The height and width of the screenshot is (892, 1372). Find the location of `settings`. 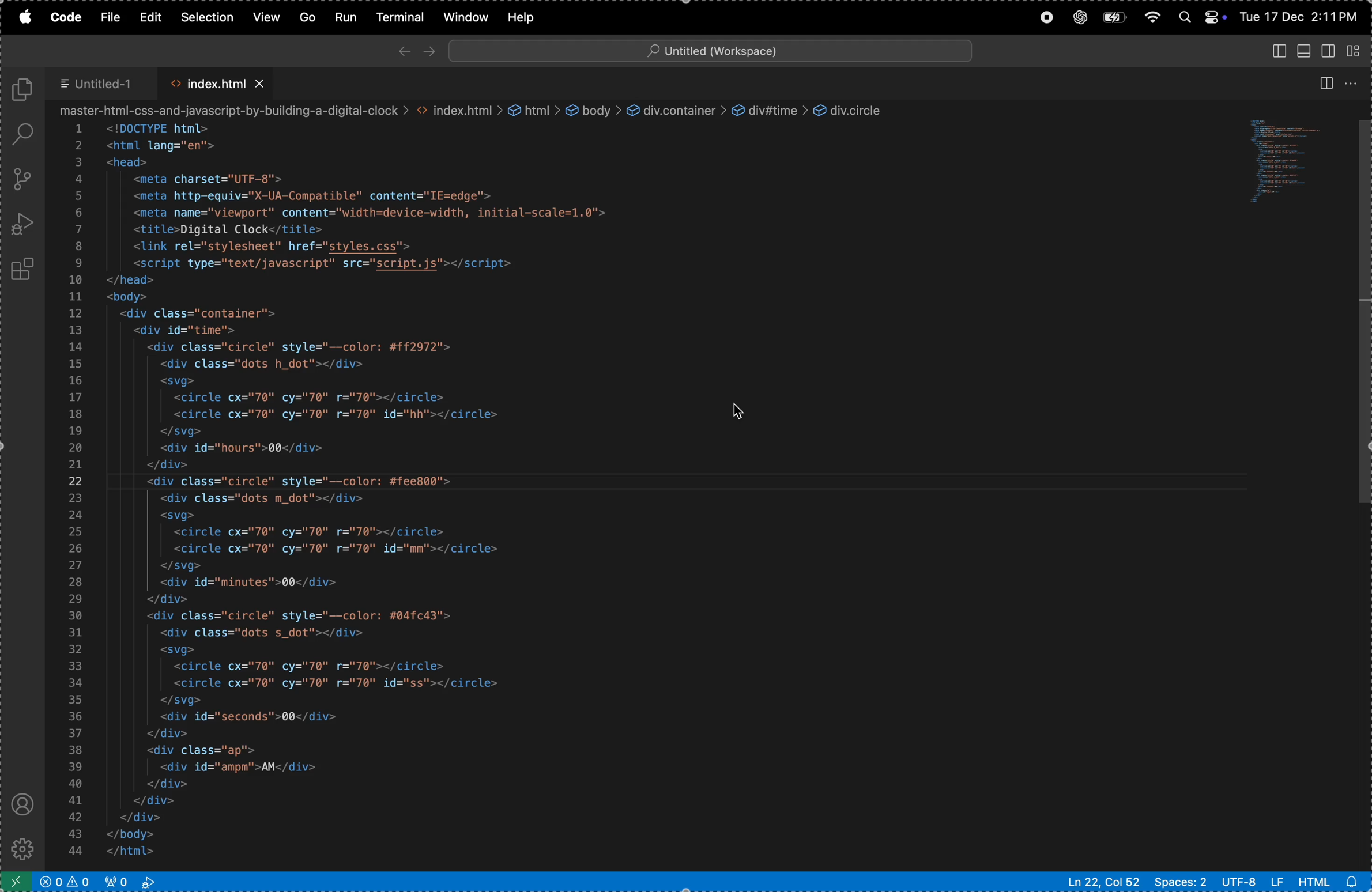

settings is located at coordinates (20, 846).